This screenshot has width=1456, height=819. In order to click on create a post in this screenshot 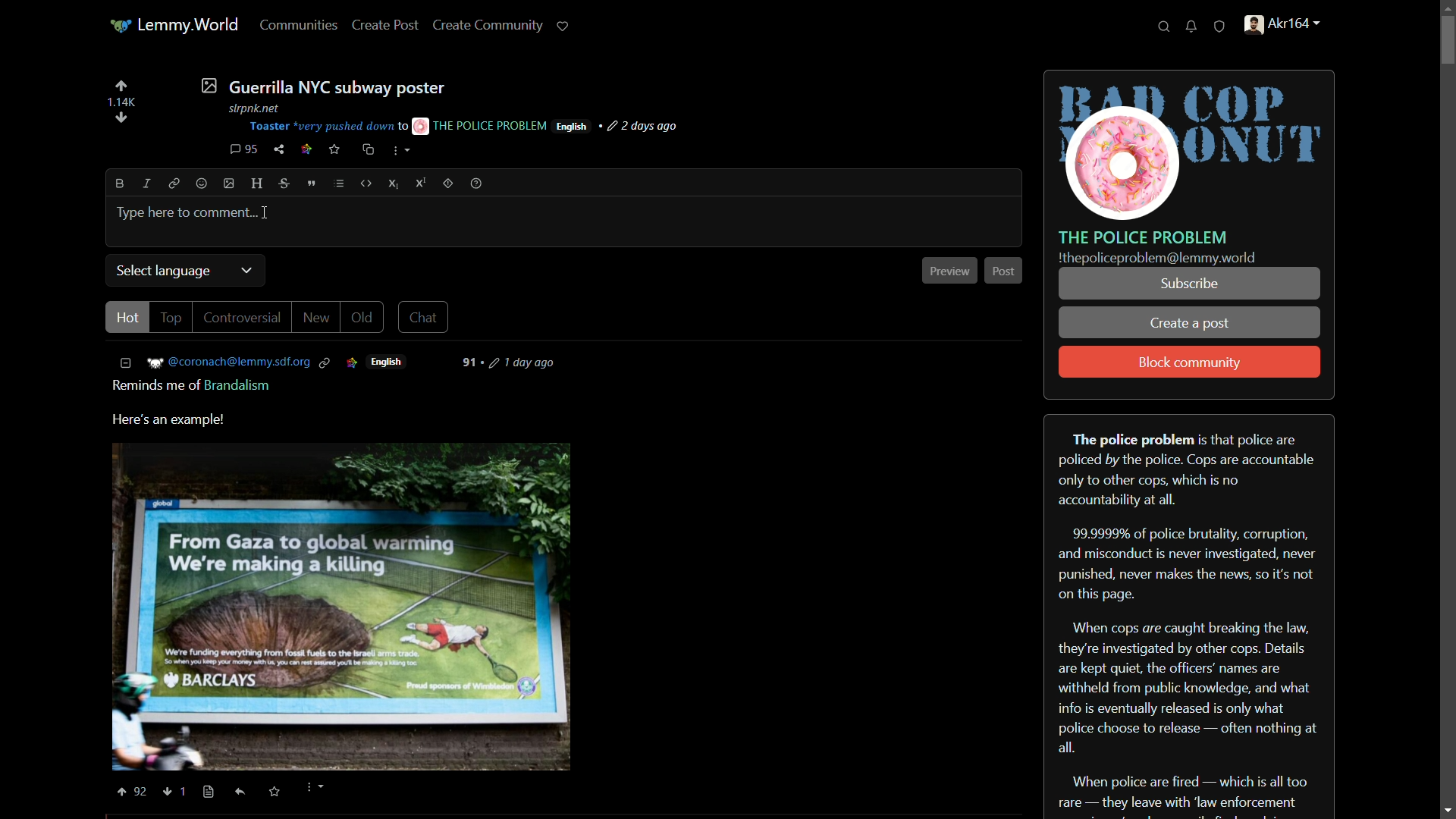, I will do `click(1191, 325)`.